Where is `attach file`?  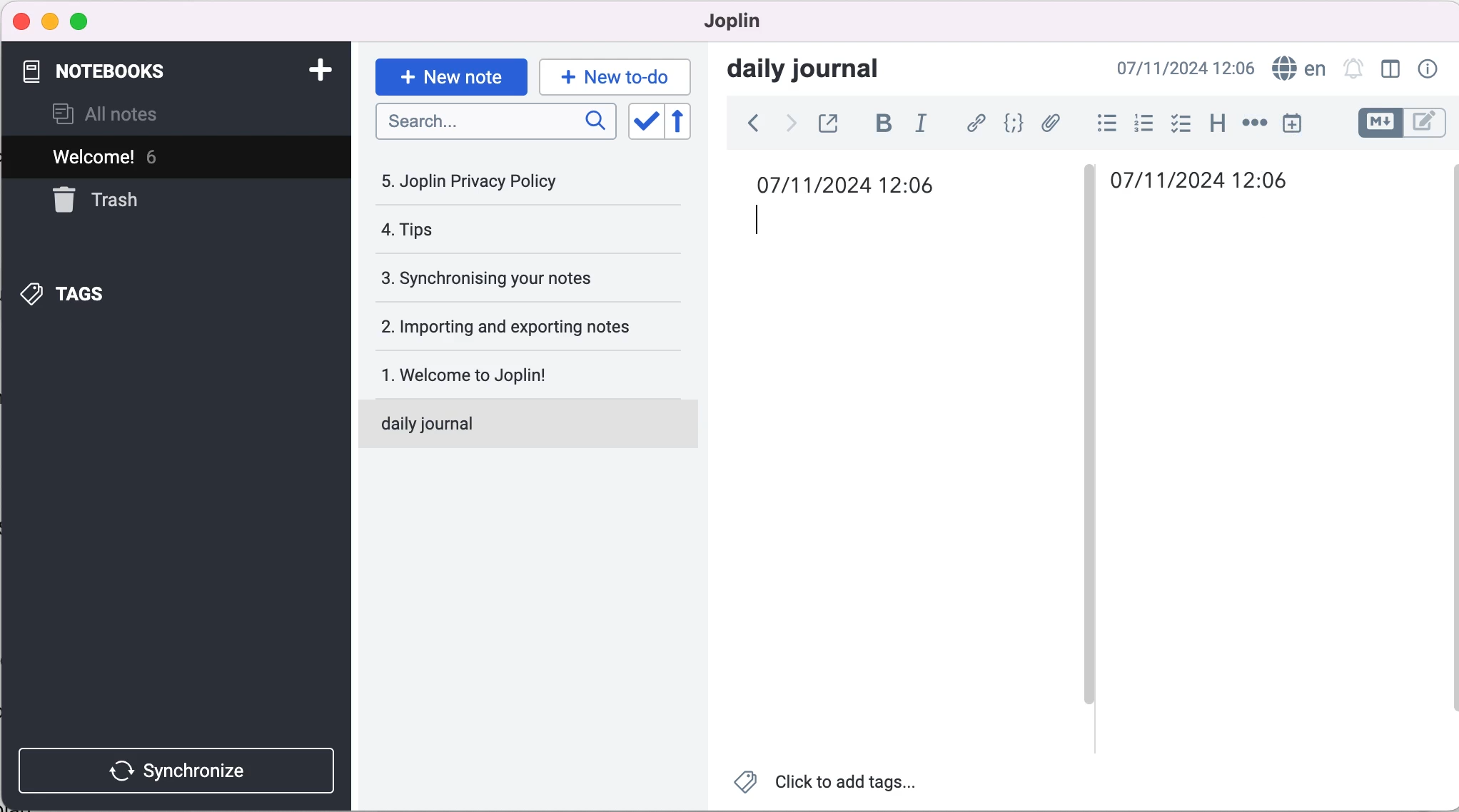 attach file is located at coordinates (1051, 123).